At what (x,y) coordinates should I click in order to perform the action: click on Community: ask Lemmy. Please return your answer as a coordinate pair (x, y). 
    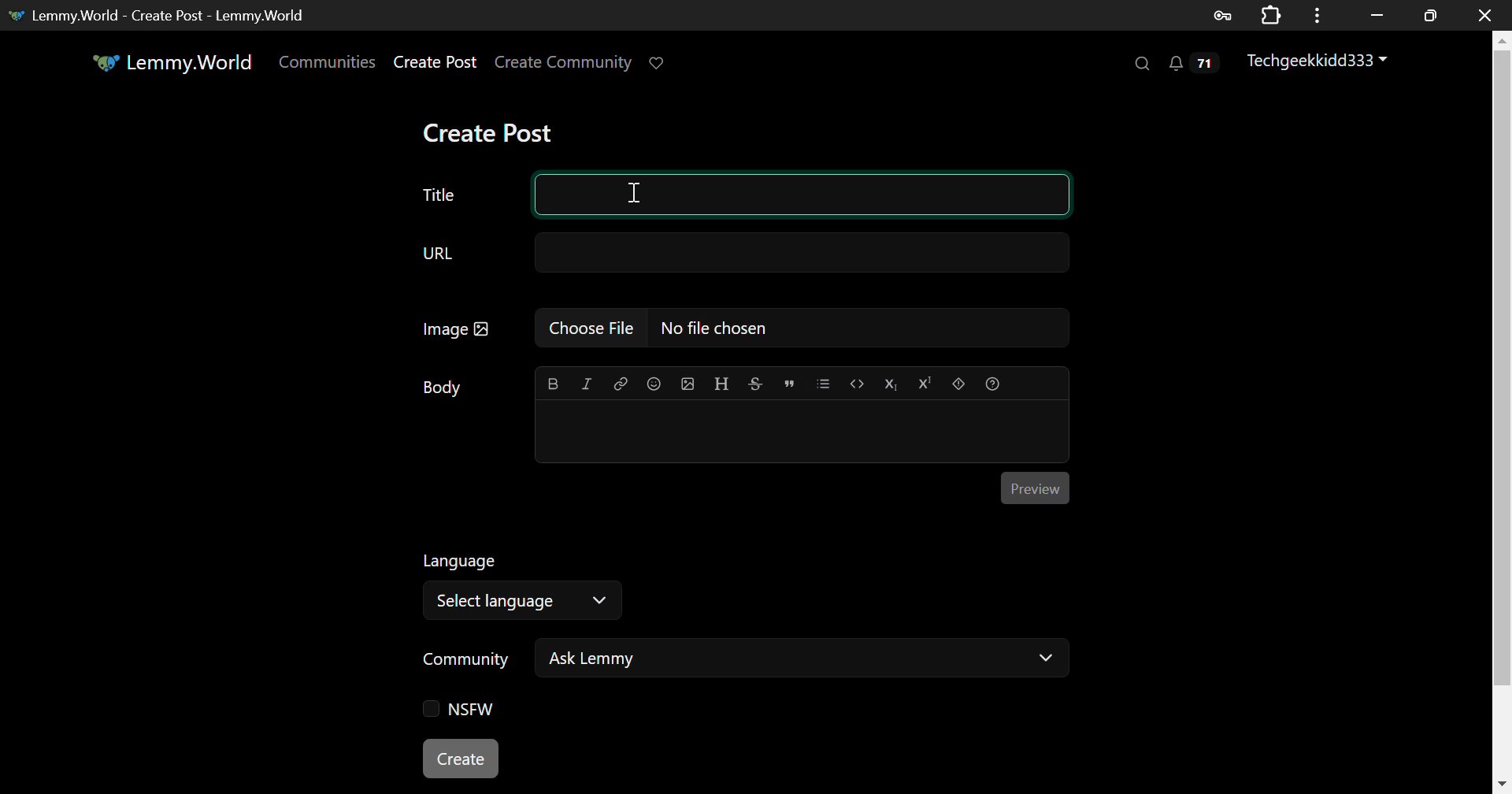
    Looking at the image, I should click on (743, 663).